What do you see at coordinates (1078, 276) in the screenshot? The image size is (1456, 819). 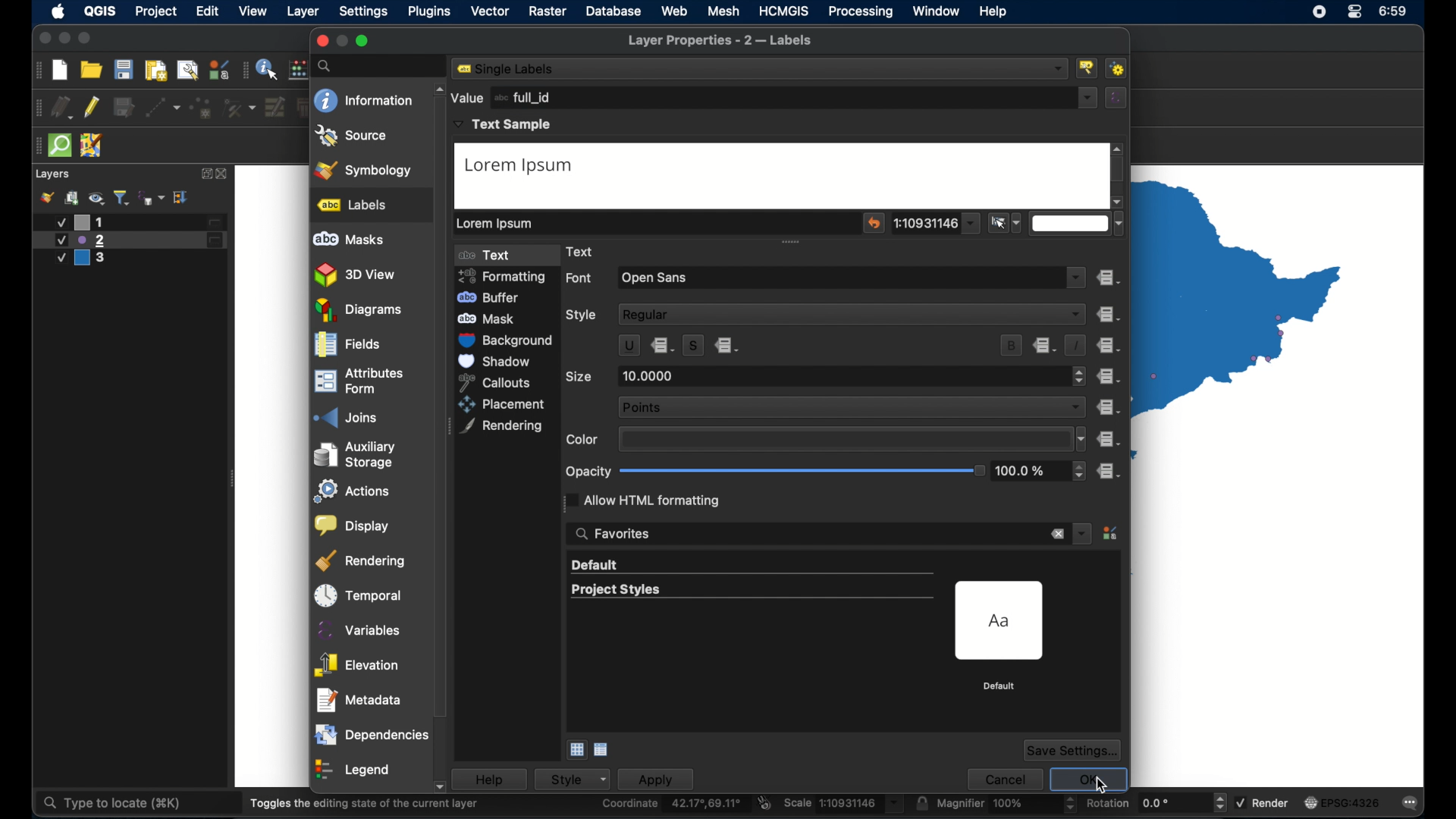 I see `dropdown` at bounding box center [1078, 276].